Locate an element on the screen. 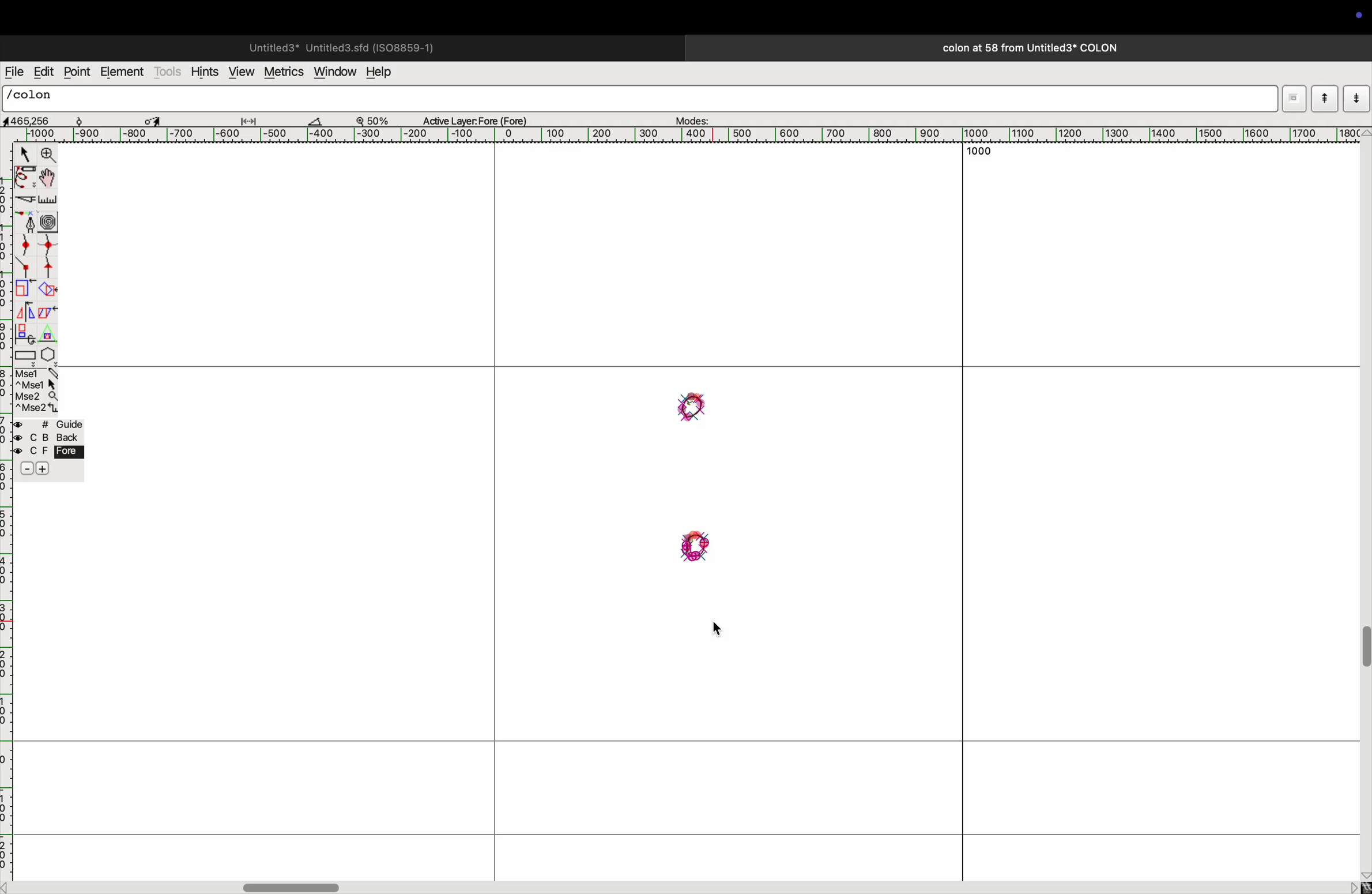 This screenshot has height=894, width=1372. pen is located at coordinates (25, 179).